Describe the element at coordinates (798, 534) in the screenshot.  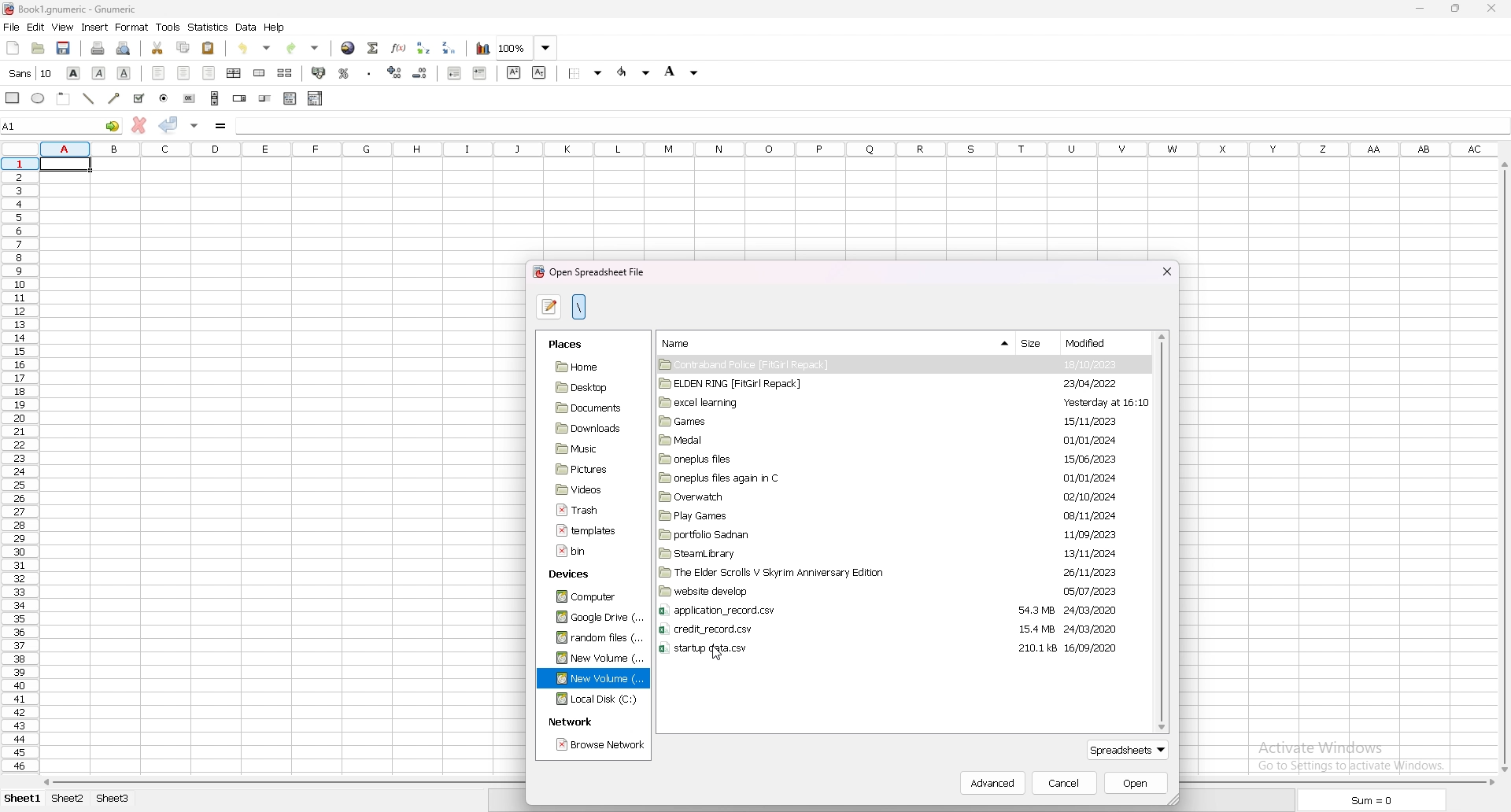
I see `folder` at that location.